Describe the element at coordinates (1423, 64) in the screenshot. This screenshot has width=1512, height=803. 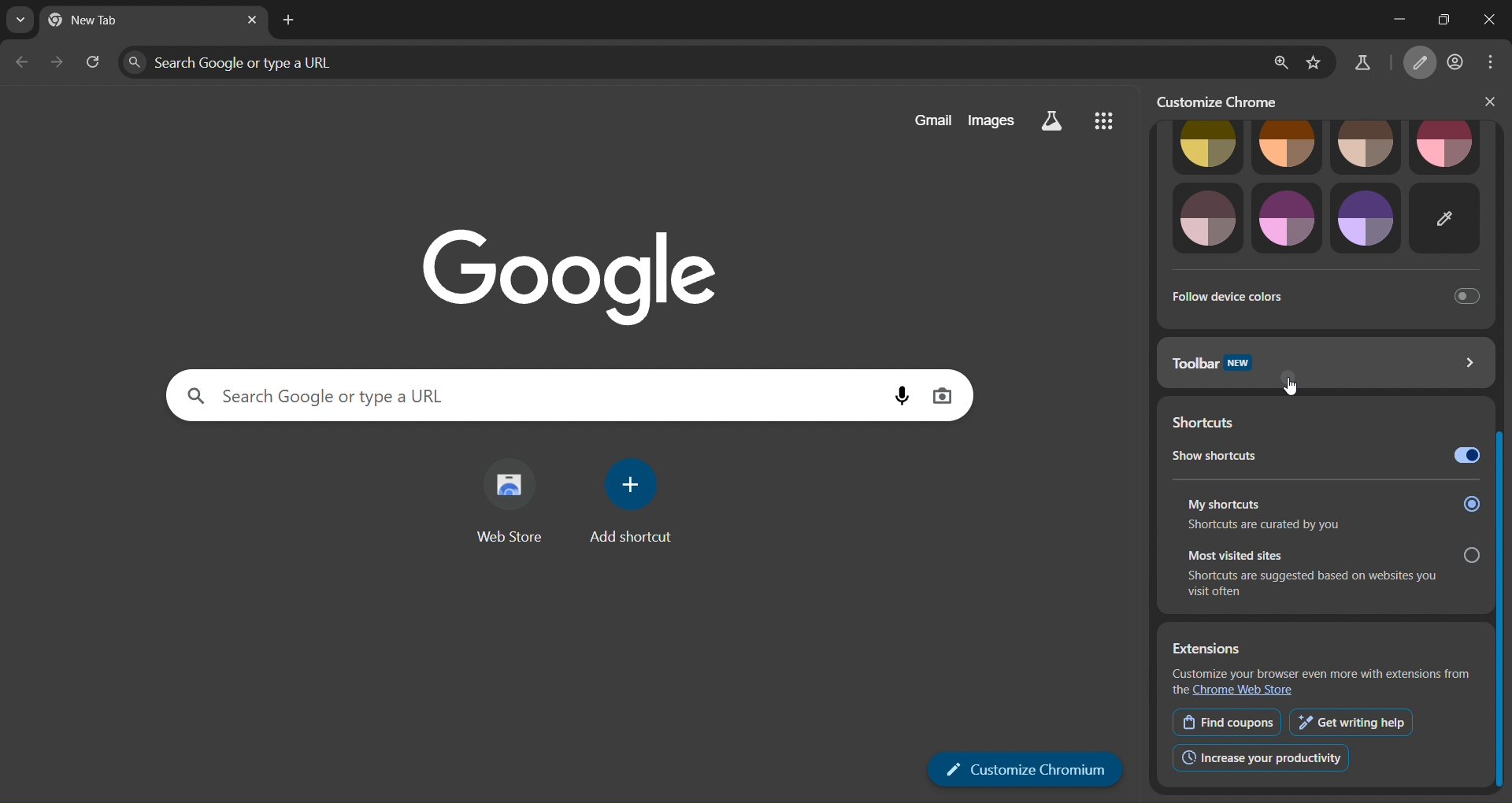
I see `customize chromium` at that location.